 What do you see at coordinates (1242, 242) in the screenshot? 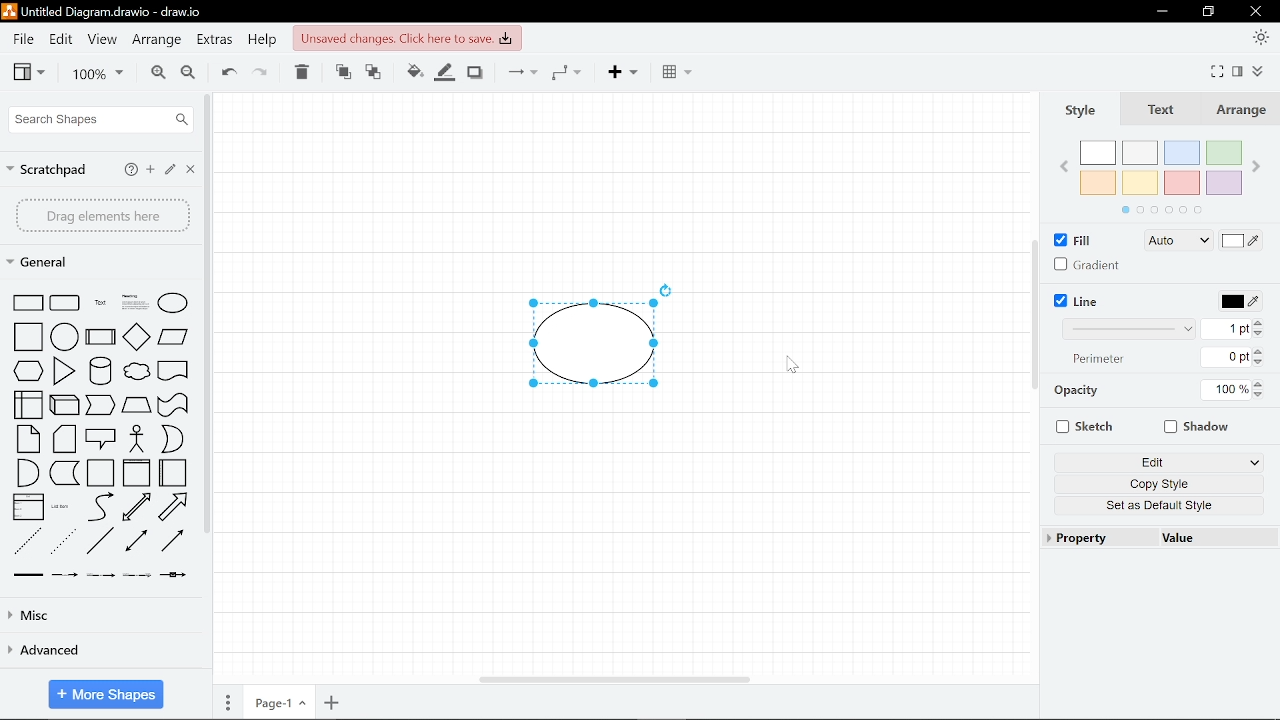
I see `Fill color` at bounding box center [1242, 242].